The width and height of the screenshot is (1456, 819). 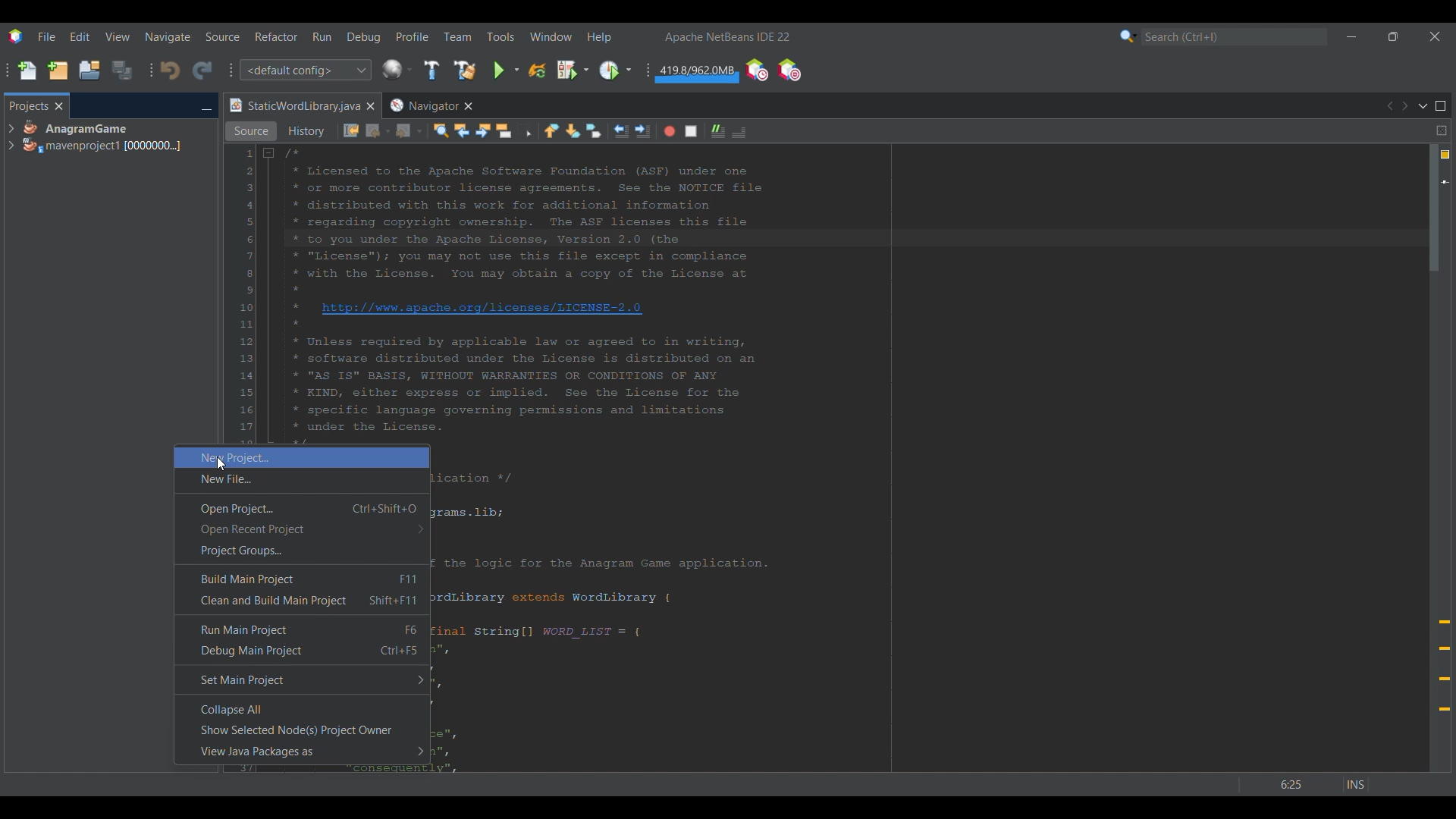 I want to click on Help menu, so click(x=599, y=37).